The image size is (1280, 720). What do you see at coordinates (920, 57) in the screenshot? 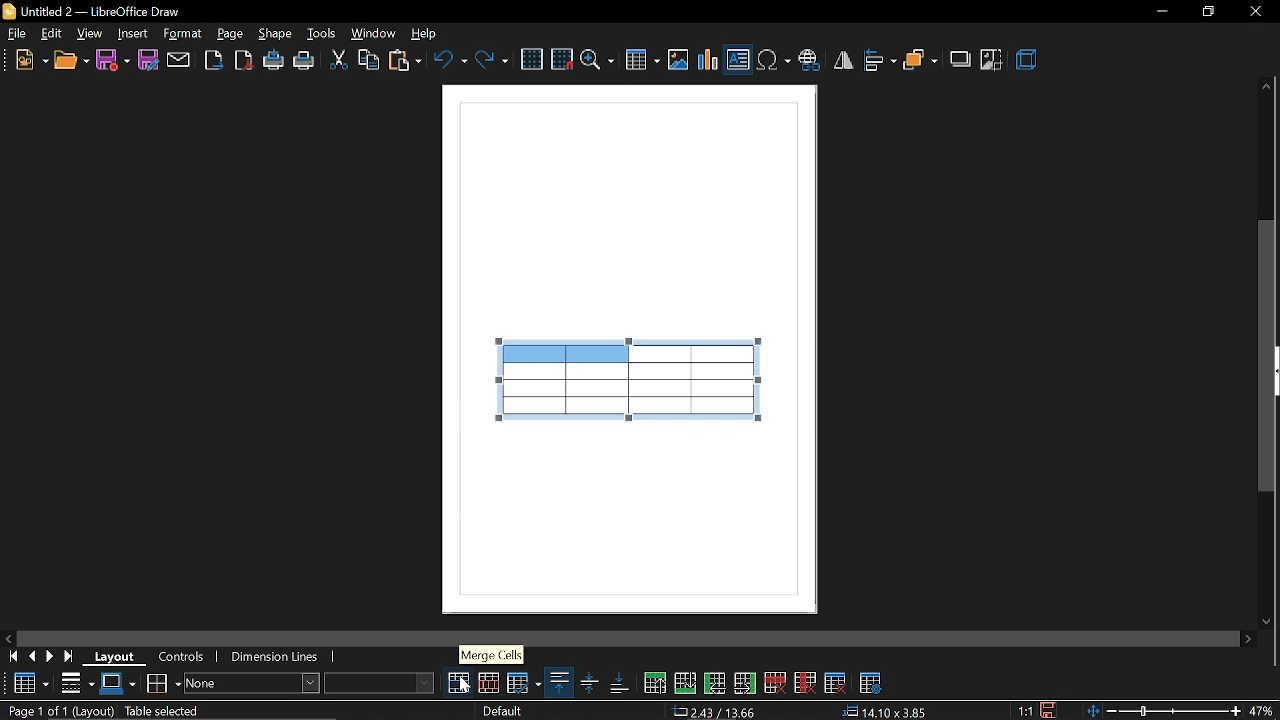
I see `arrange` at bounding box center [920, 57].